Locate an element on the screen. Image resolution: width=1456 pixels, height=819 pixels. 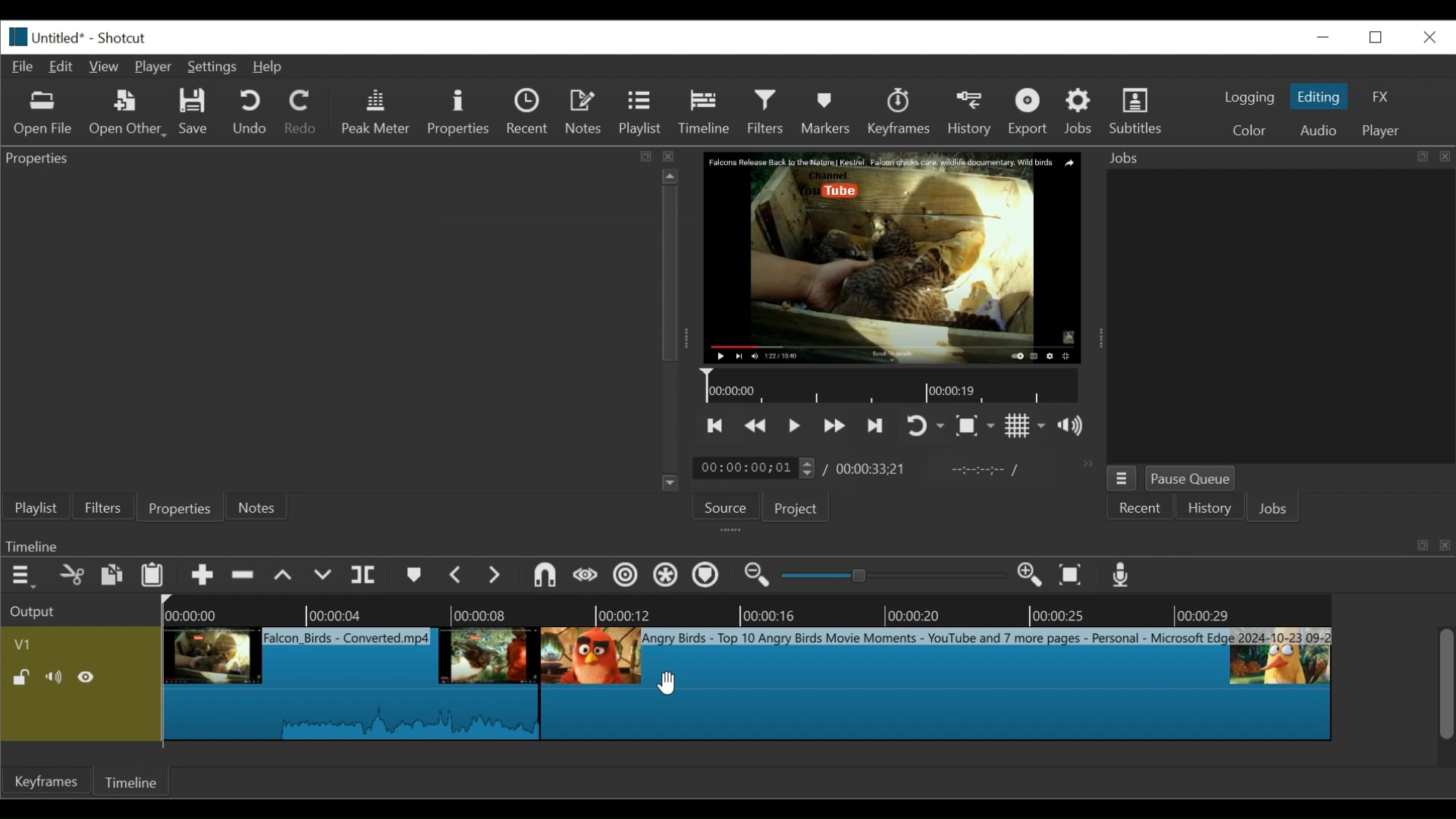
History is located at coordinates (1209, 507).